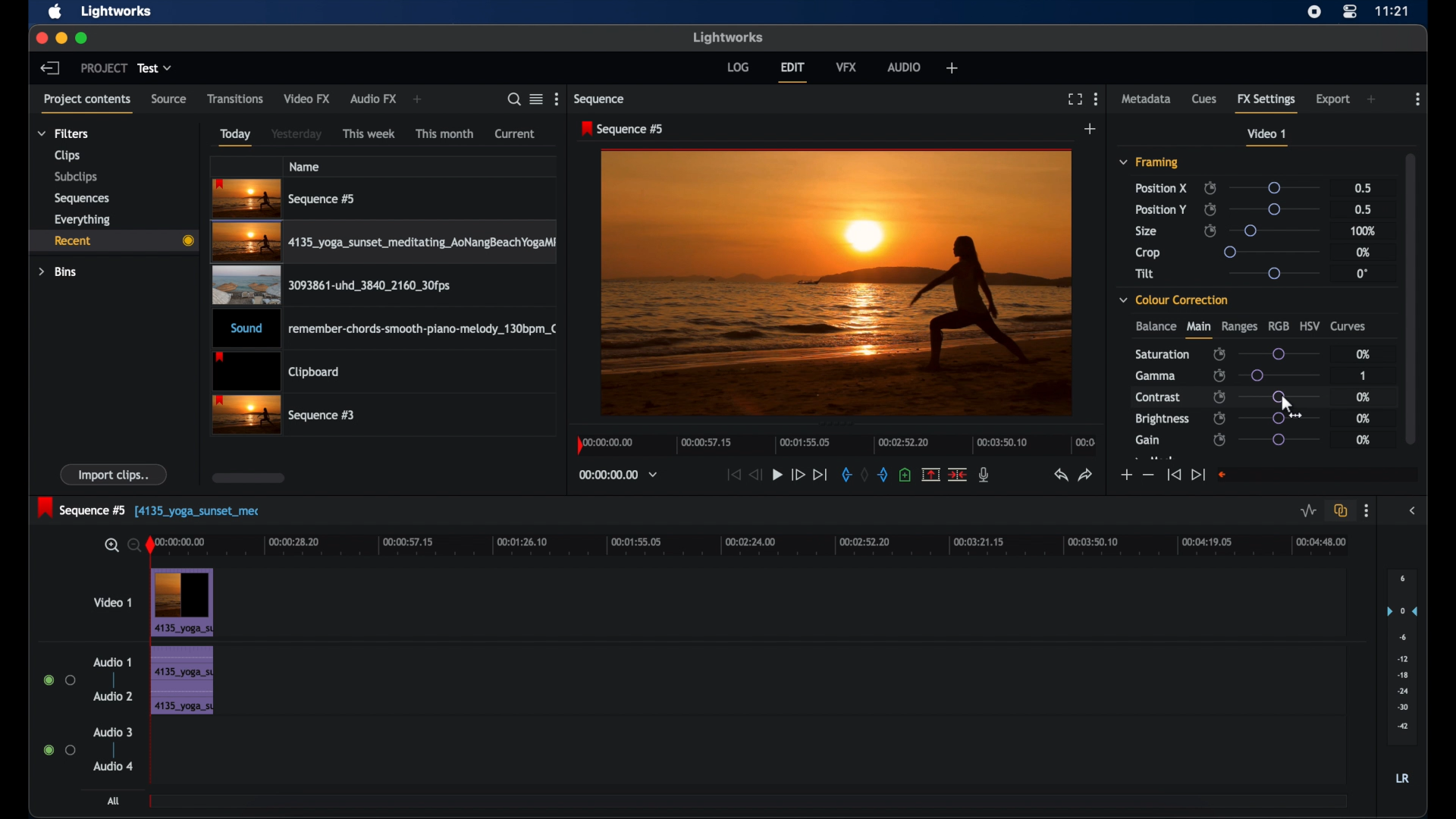  Describe the element at coordinates (737, 66) in the screenshot. I see `log` at that location.